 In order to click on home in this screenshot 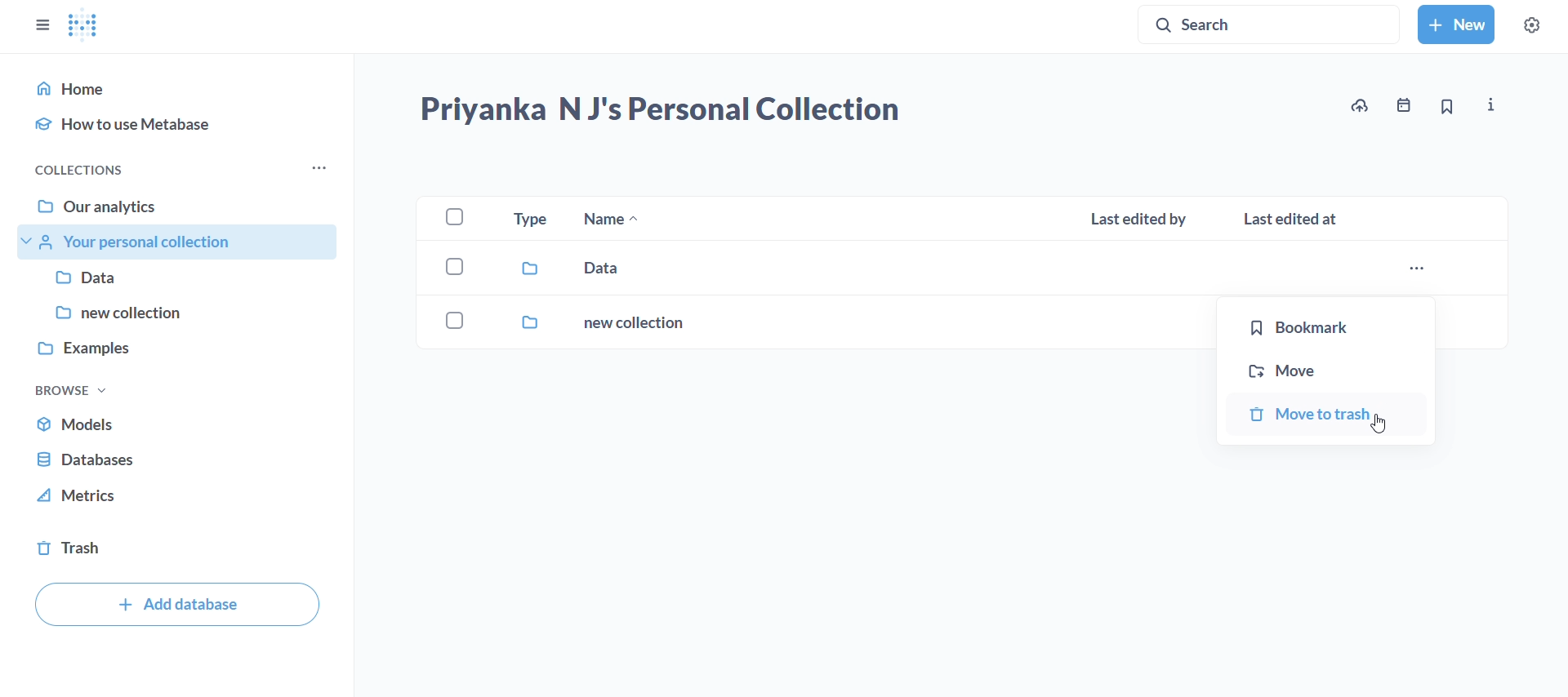, I will do `click(178, 89)`.